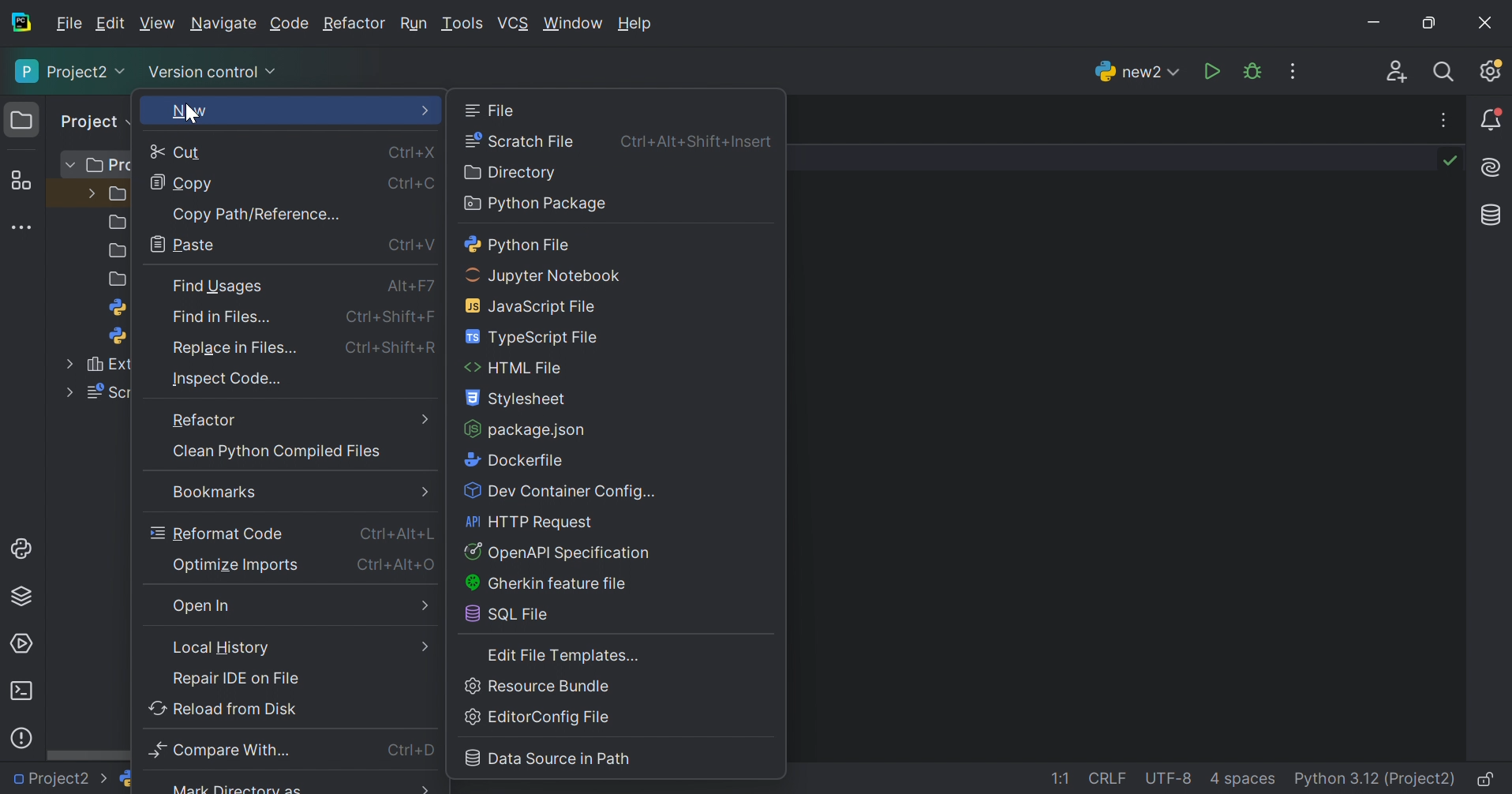  Describe the element at coordinates (237, 788) in the screenshot. I see `Mark directory as` at that location.